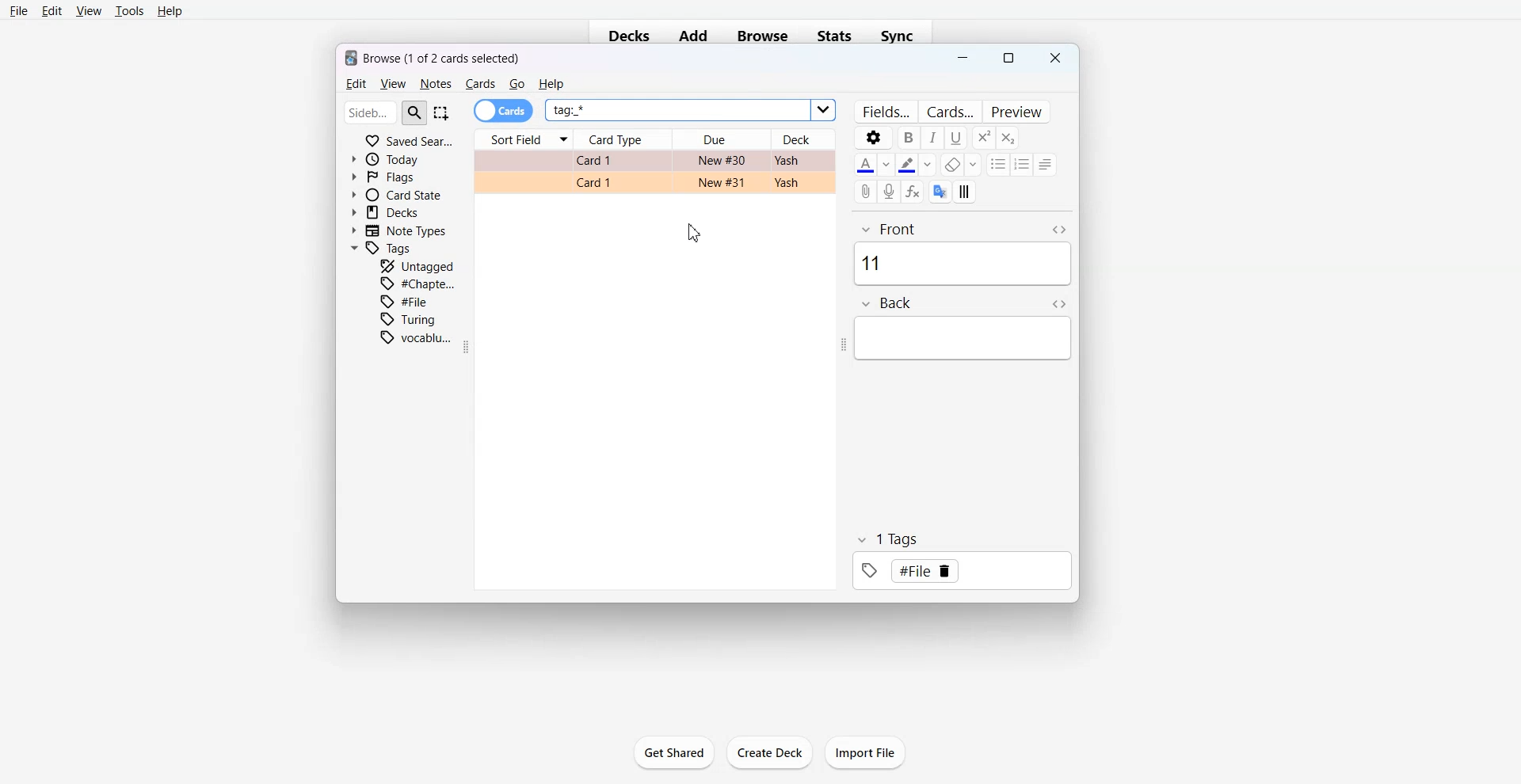  I want to click on Edit, so click(52, 10).